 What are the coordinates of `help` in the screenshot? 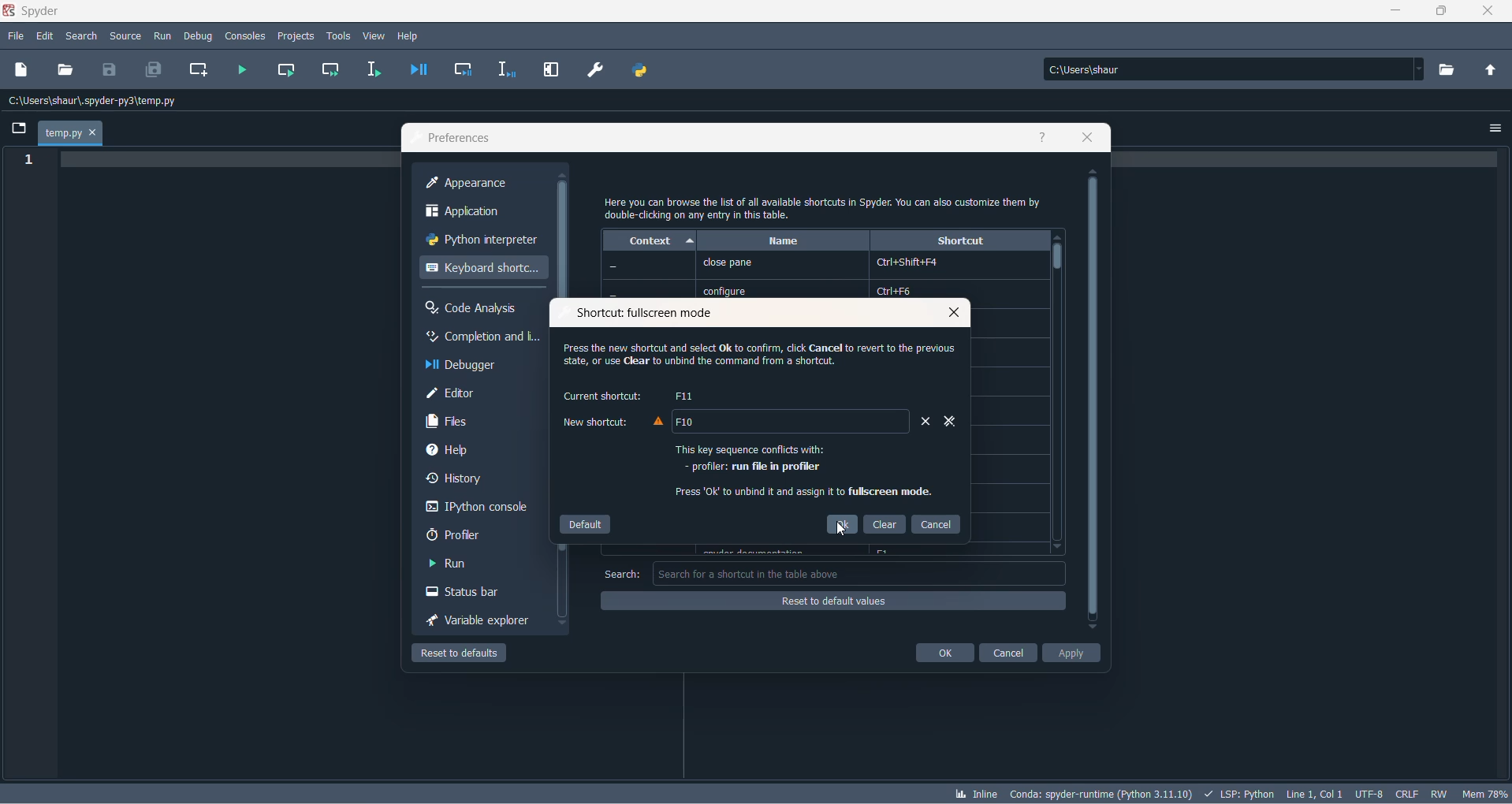 It's located at (412, 35).